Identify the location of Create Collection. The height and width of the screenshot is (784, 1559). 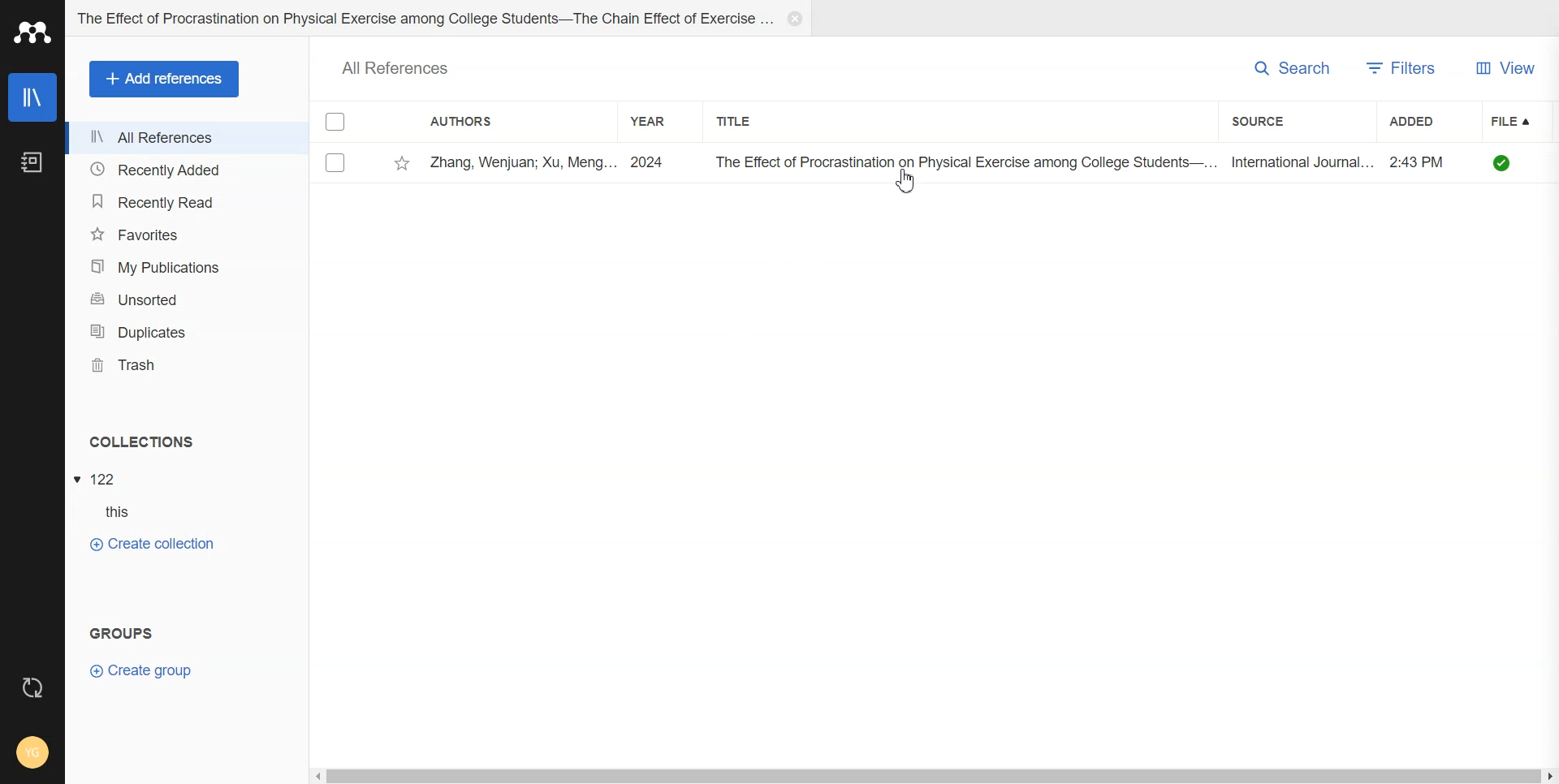
(152, 544).